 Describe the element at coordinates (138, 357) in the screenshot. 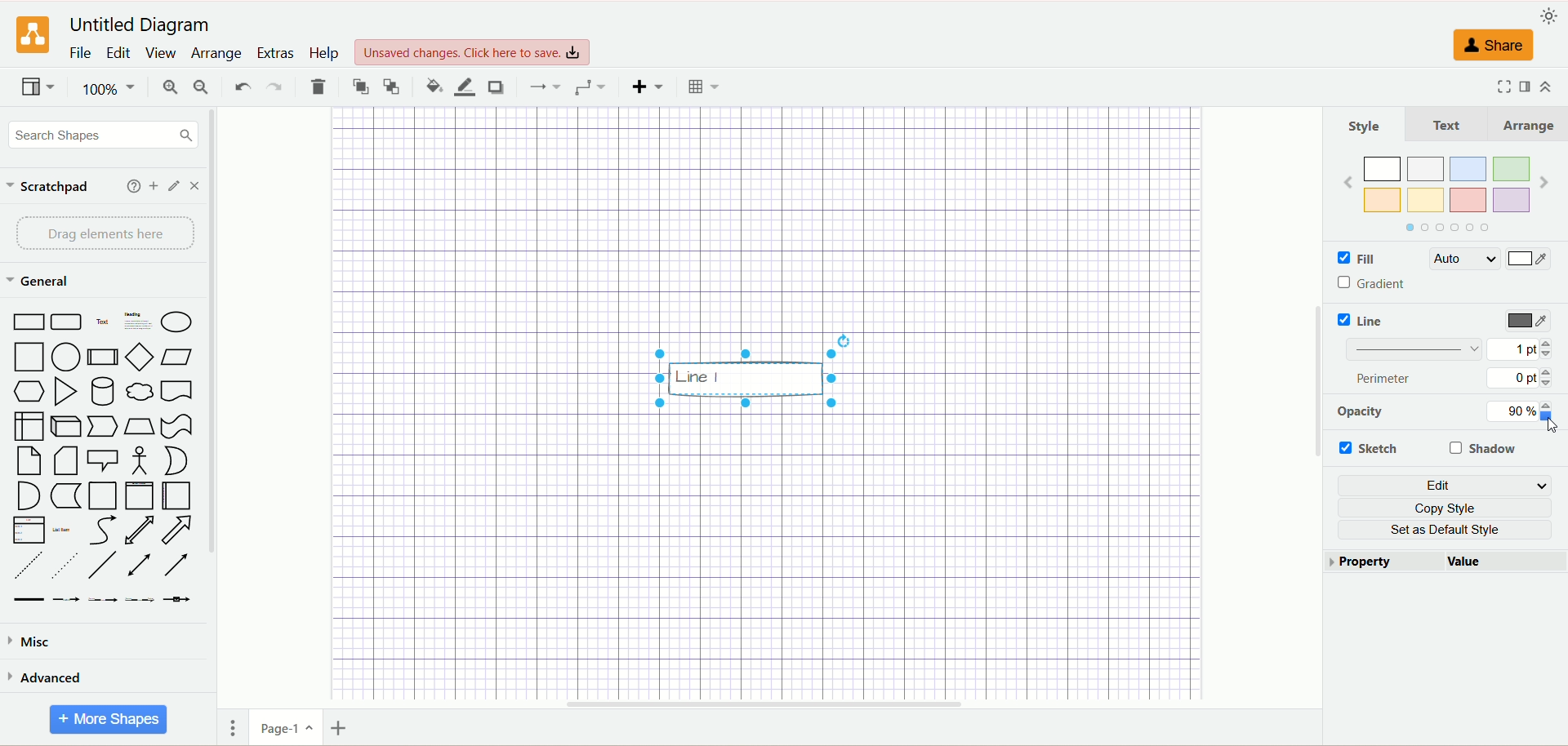

I see `Diamond` at that location.